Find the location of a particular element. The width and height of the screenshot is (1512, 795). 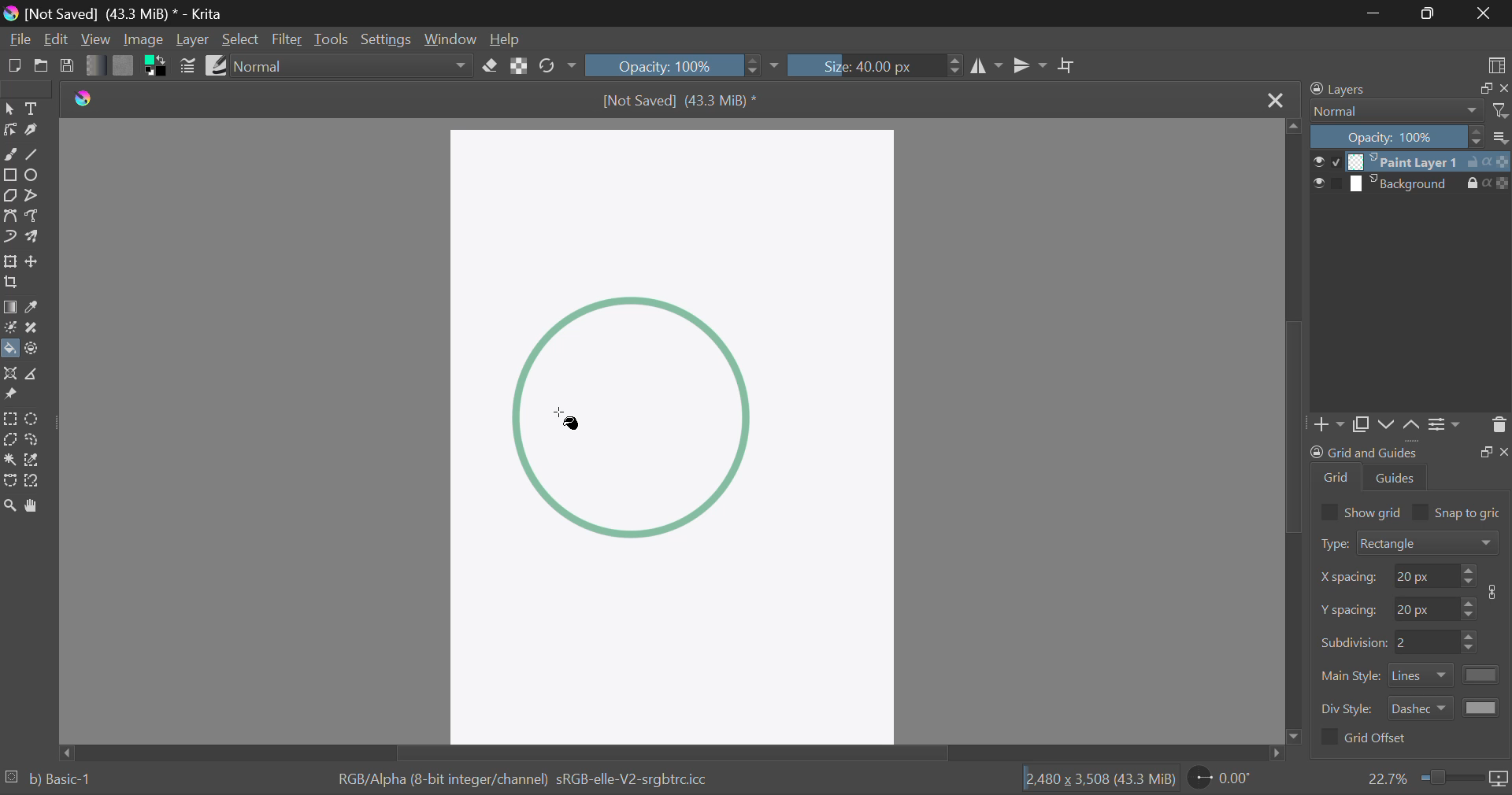

Rotate is located at coordinates (558, 66).